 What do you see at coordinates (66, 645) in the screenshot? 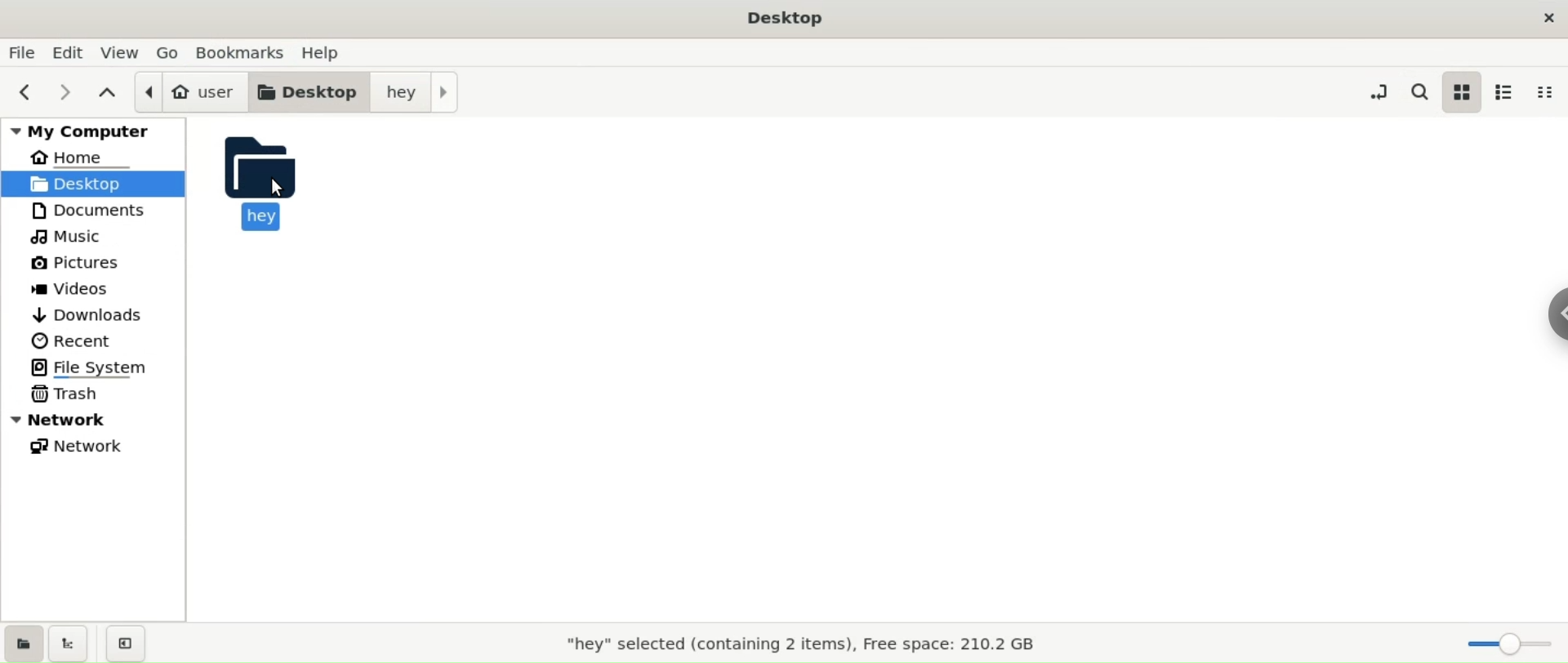
I see `show treeview` at bounding box center [66, 645].